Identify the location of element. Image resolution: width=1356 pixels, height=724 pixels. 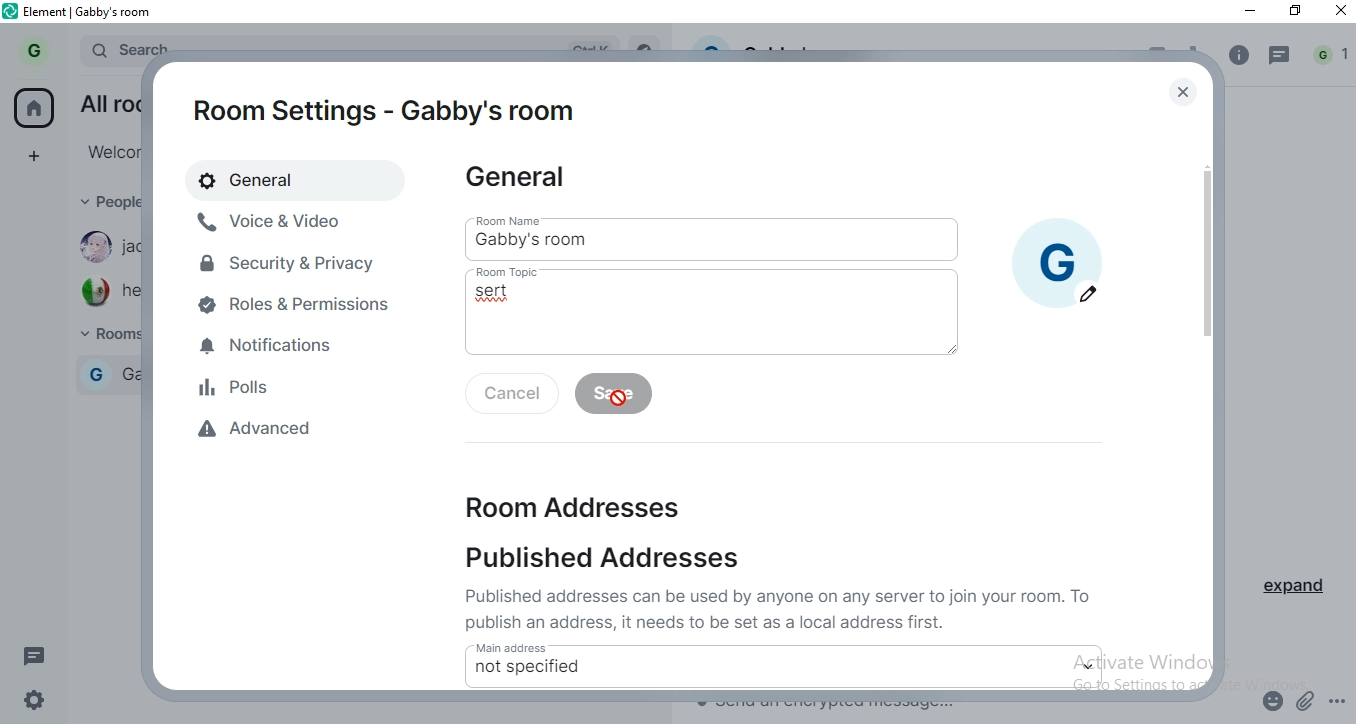
(93, 11).